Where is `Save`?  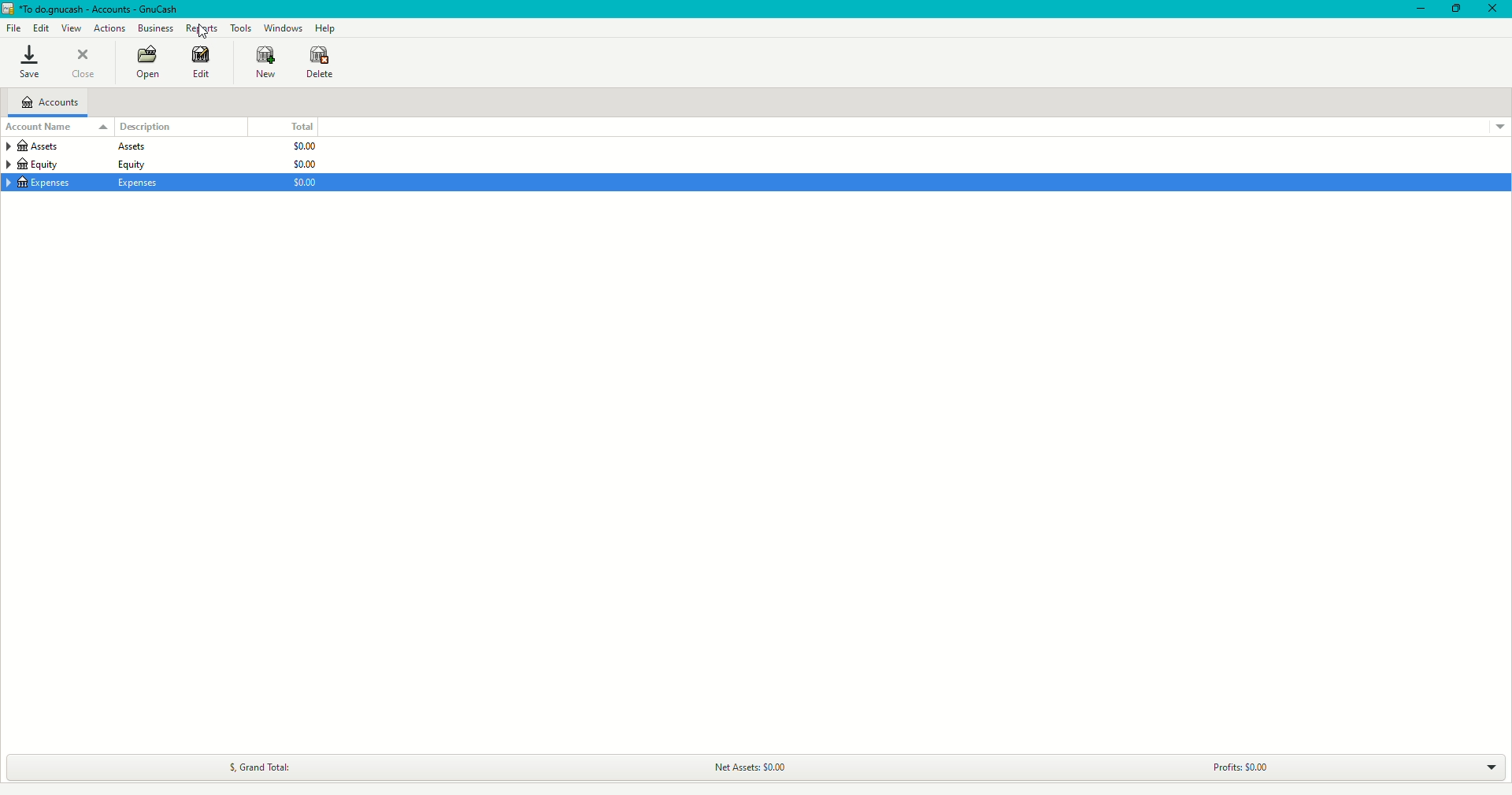 Save is located at coordinates (26, 63).